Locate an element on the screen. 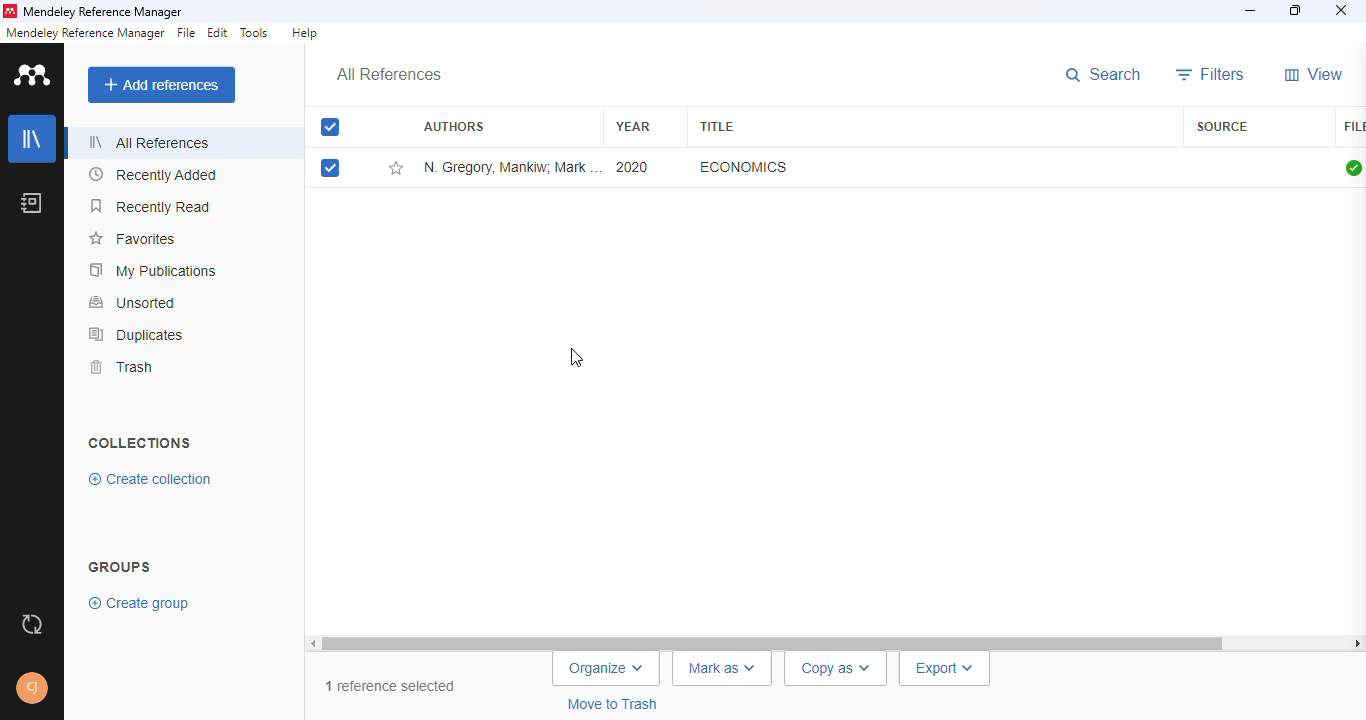 The image size is (1366, 720). library is located at coordinates (32, 137).